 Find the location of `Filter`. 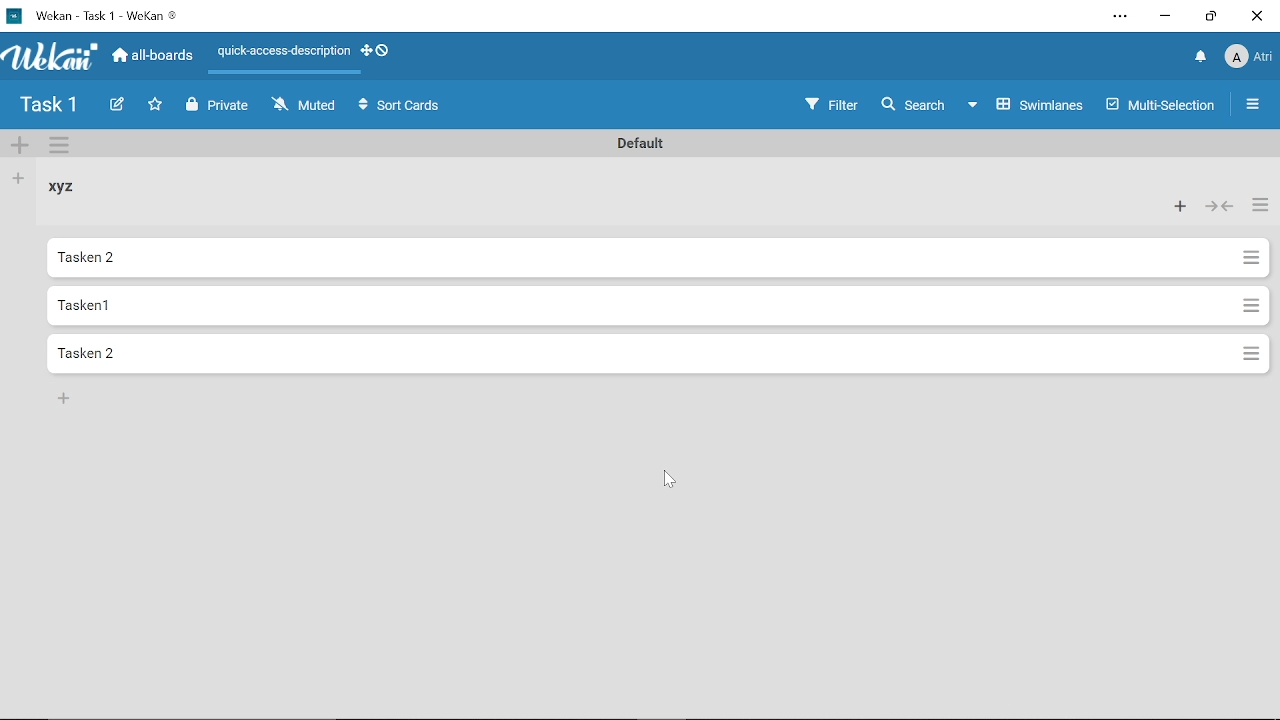

Filter is located at coordinates (831, 104).